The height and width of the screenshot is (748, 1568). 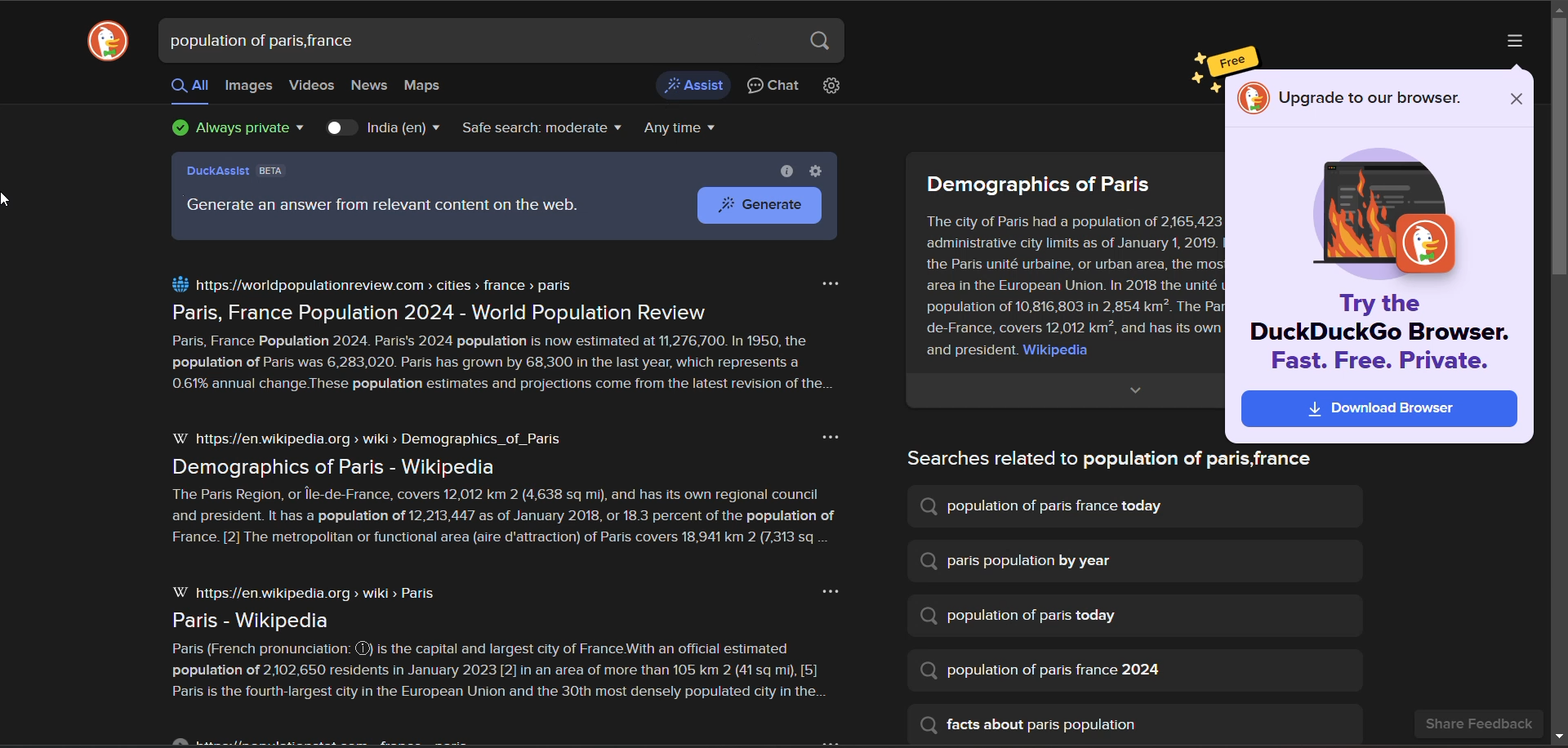 I want to click on safe search filter, so click(x=546, y=131).